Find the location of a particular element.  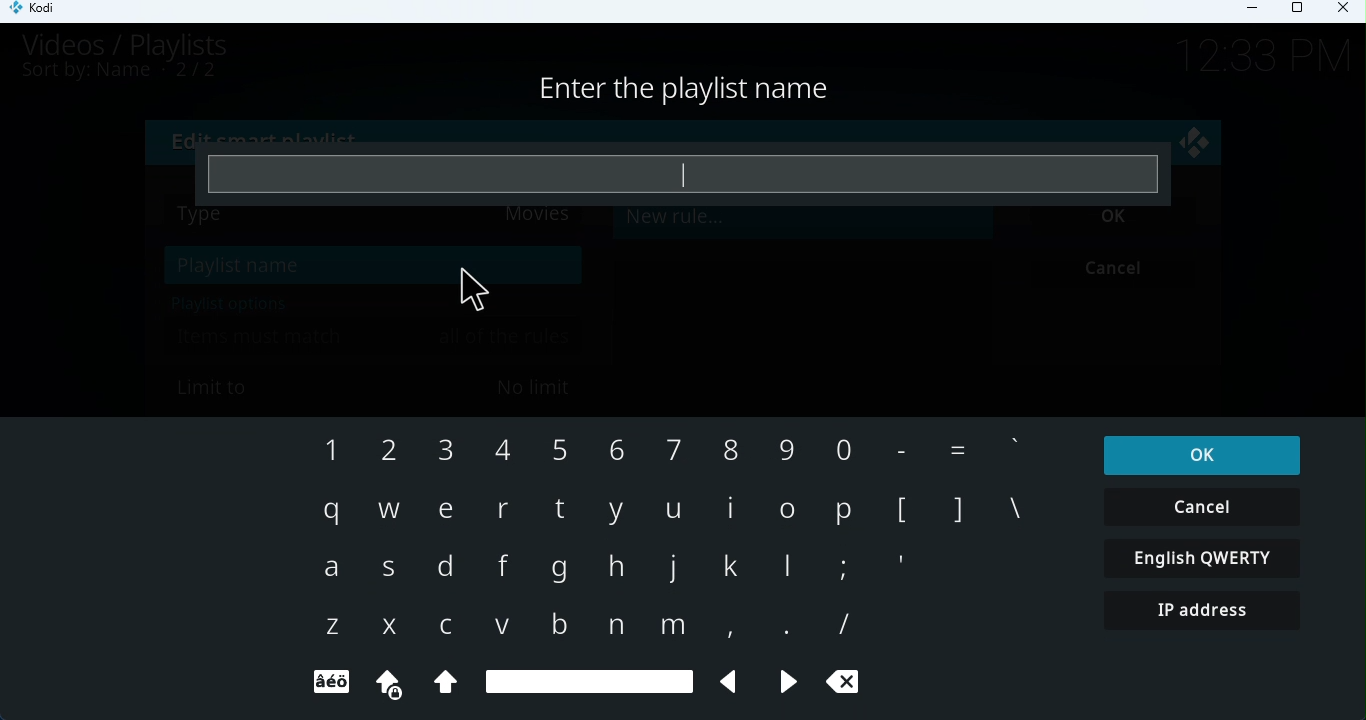

IP address is located at coordinates (1210, 613).